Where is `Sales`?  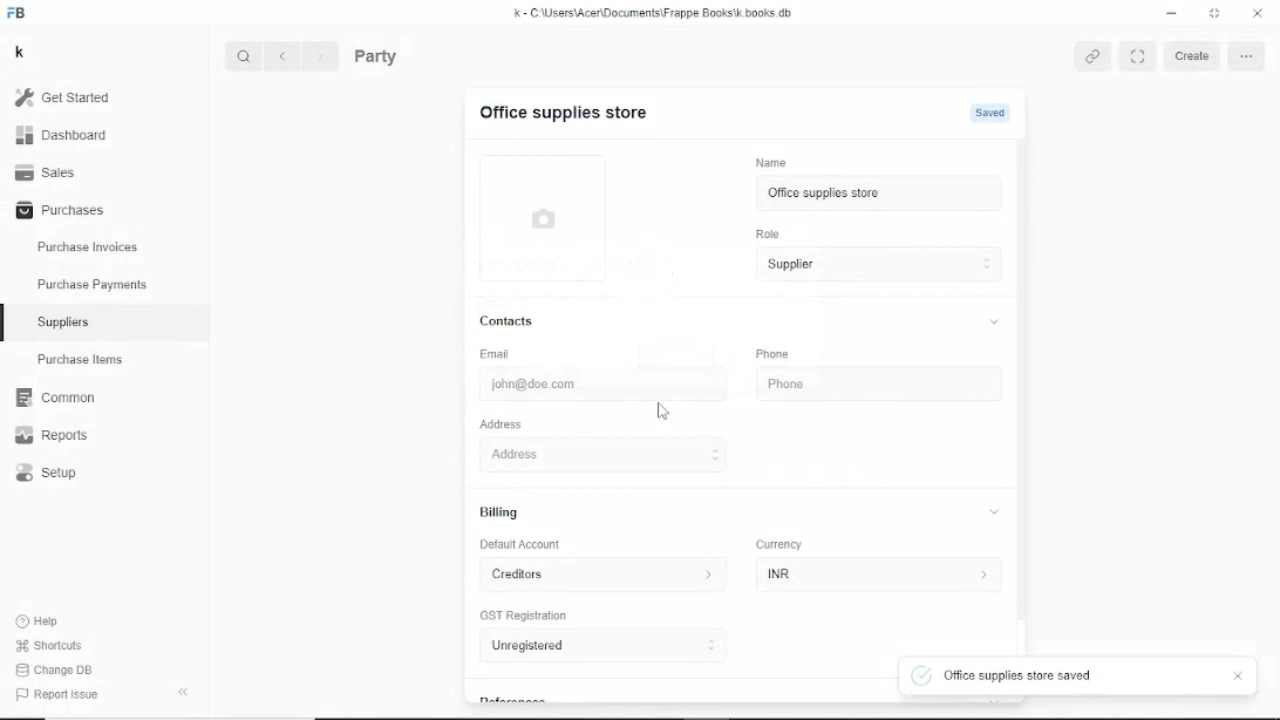 Sales is located at coordinates (48, 173).